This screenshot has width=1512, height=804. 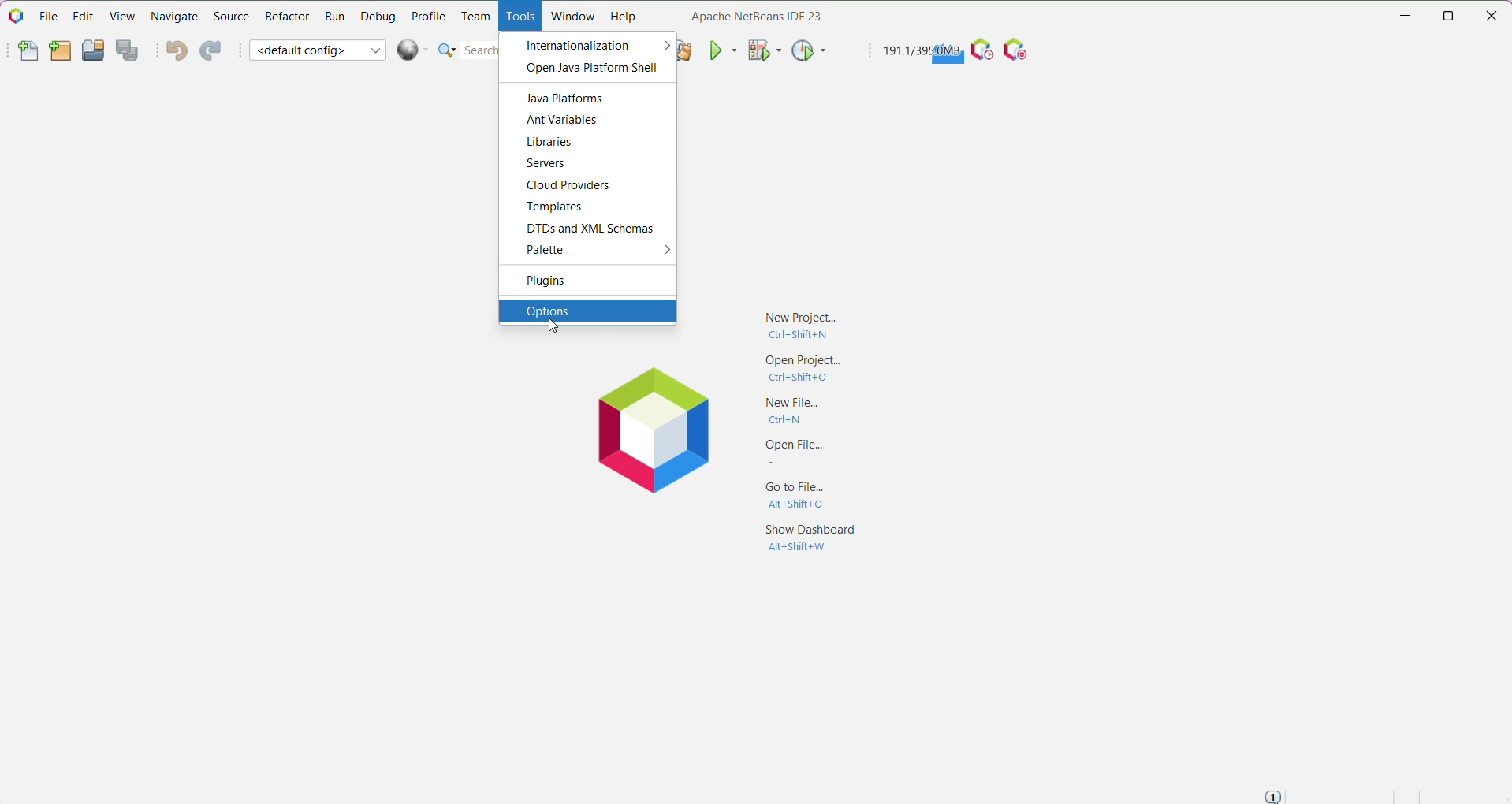 What do you see at coordinates (549, 162) in the screenshot?
I see `Servers` at bounding box center [549, 162].